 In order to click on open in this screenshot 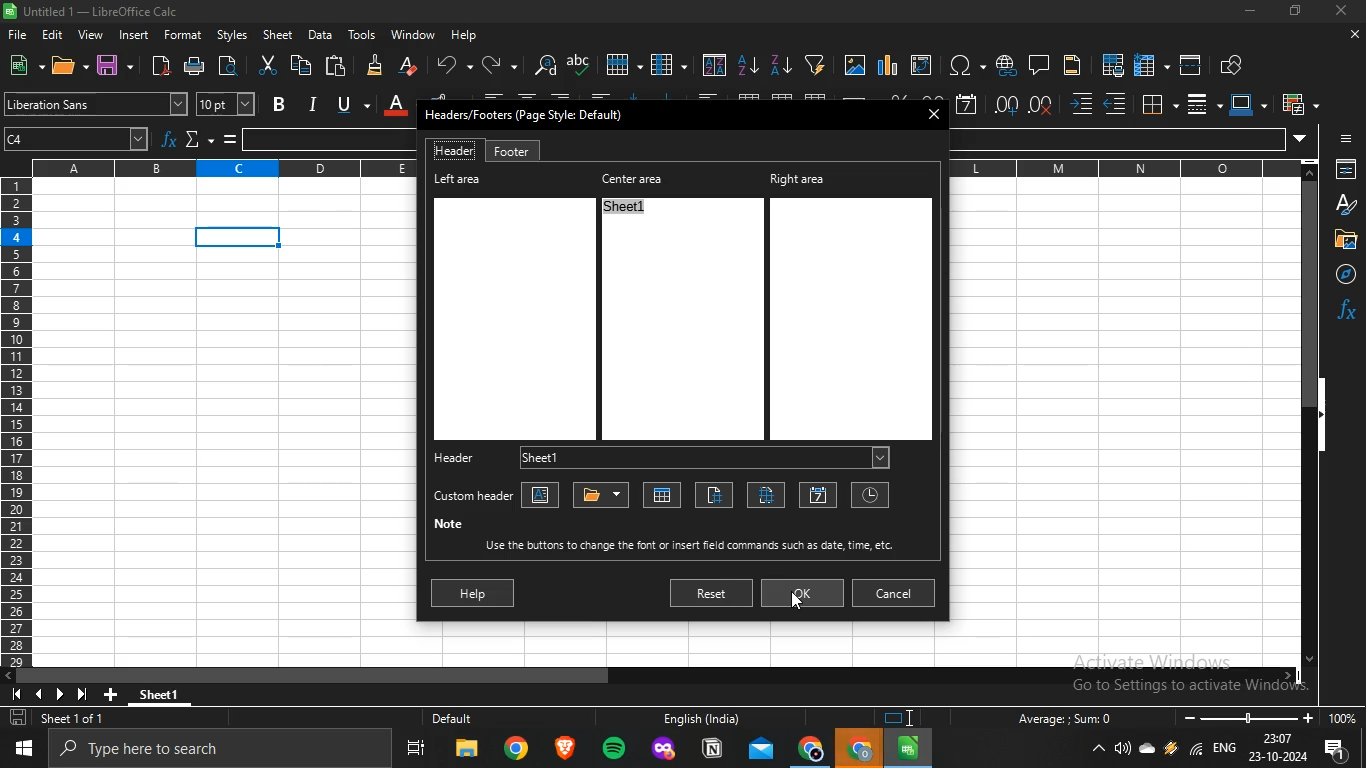, I will do `click(65, 67)`.